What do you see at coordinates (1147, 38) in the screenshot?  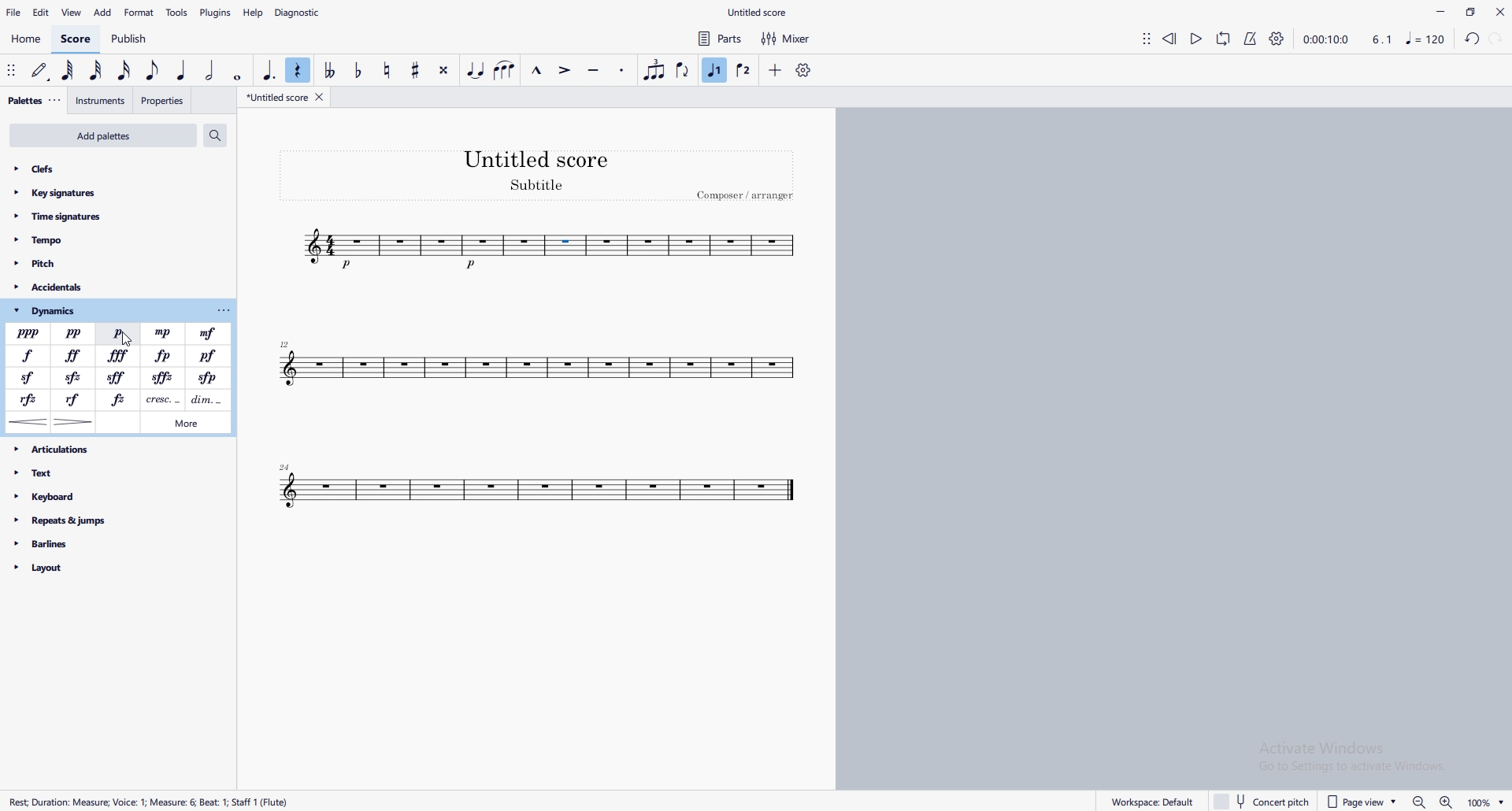 I see `adjust` at bounding box center [1147, 38].